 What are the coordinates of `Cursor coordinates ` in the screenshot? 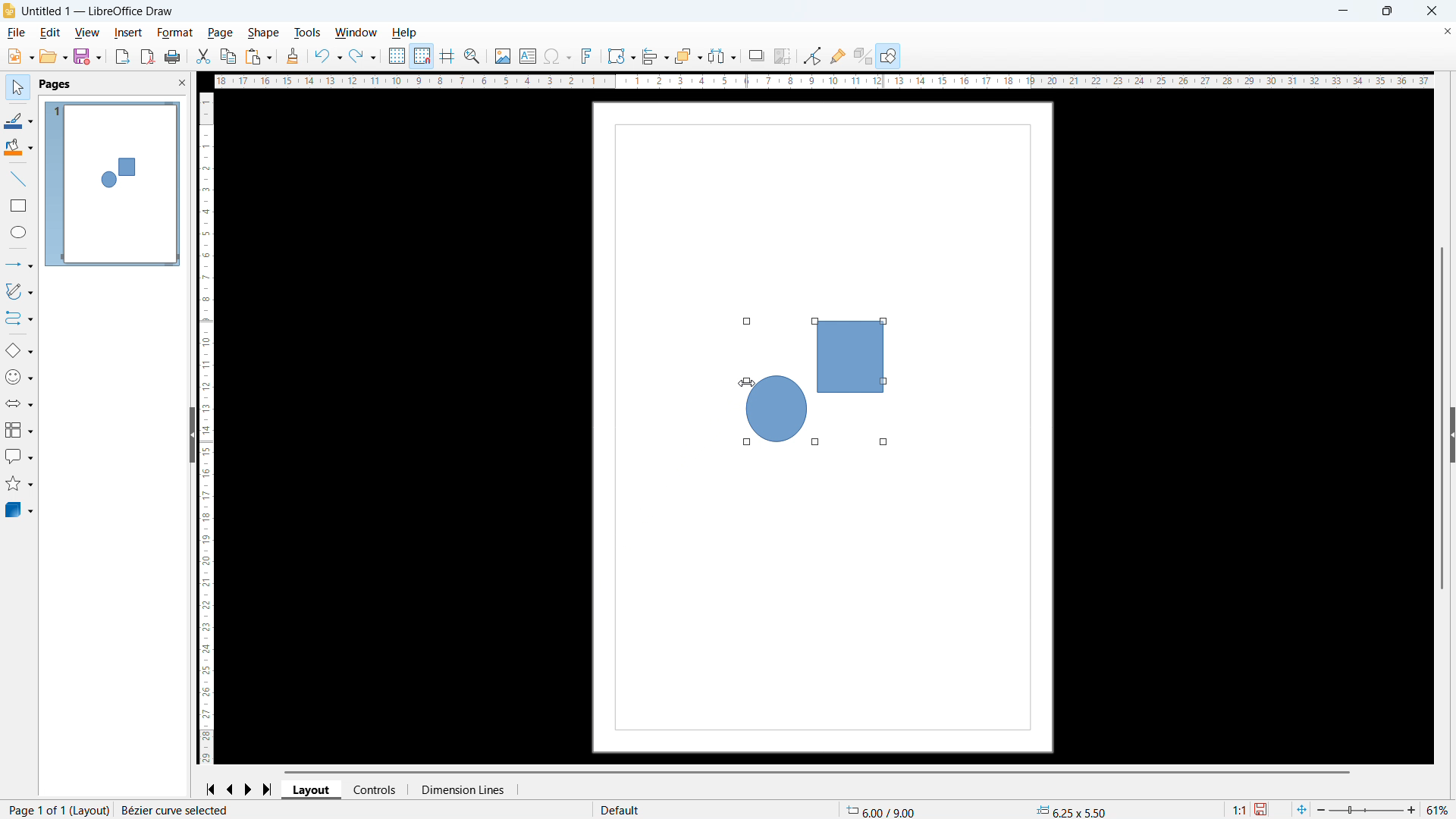 It's located at (884, 810).